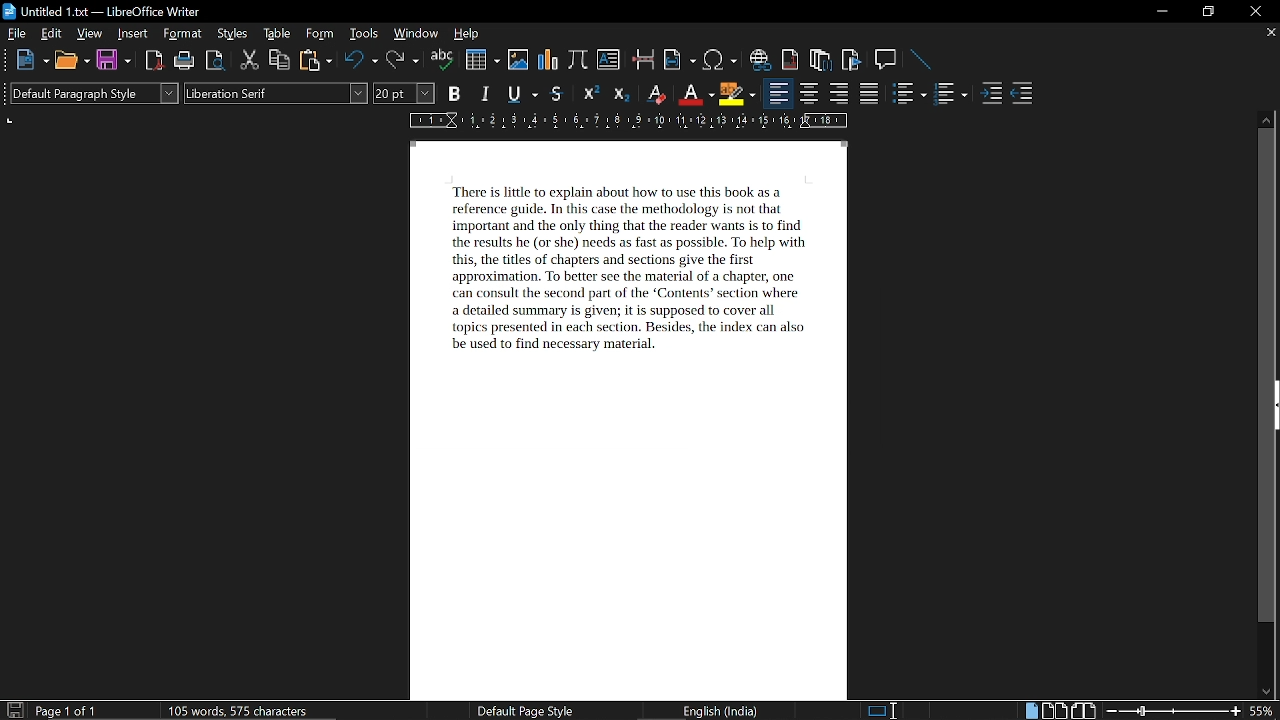 The width and height of the screenshot is (1280, 720). What do you see at coordinates (853, 60) in the screenshot?
I see `insert bookmark` at bounding box center [853, 60].